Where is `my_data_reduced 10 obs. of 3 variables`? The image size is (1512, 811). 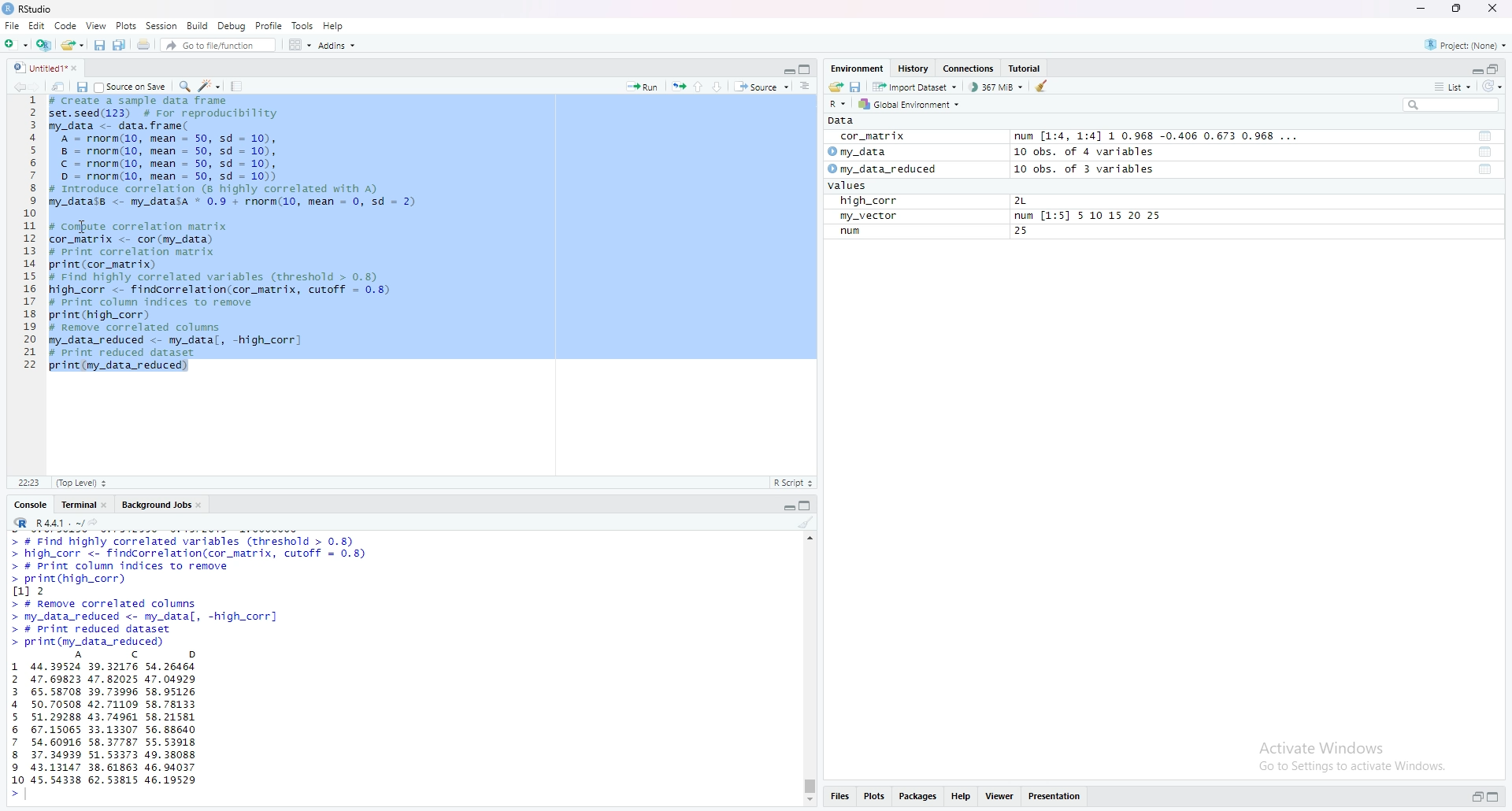 my_data_reduced 10 obs. of 3 variables is located at coordinates (997, 168).